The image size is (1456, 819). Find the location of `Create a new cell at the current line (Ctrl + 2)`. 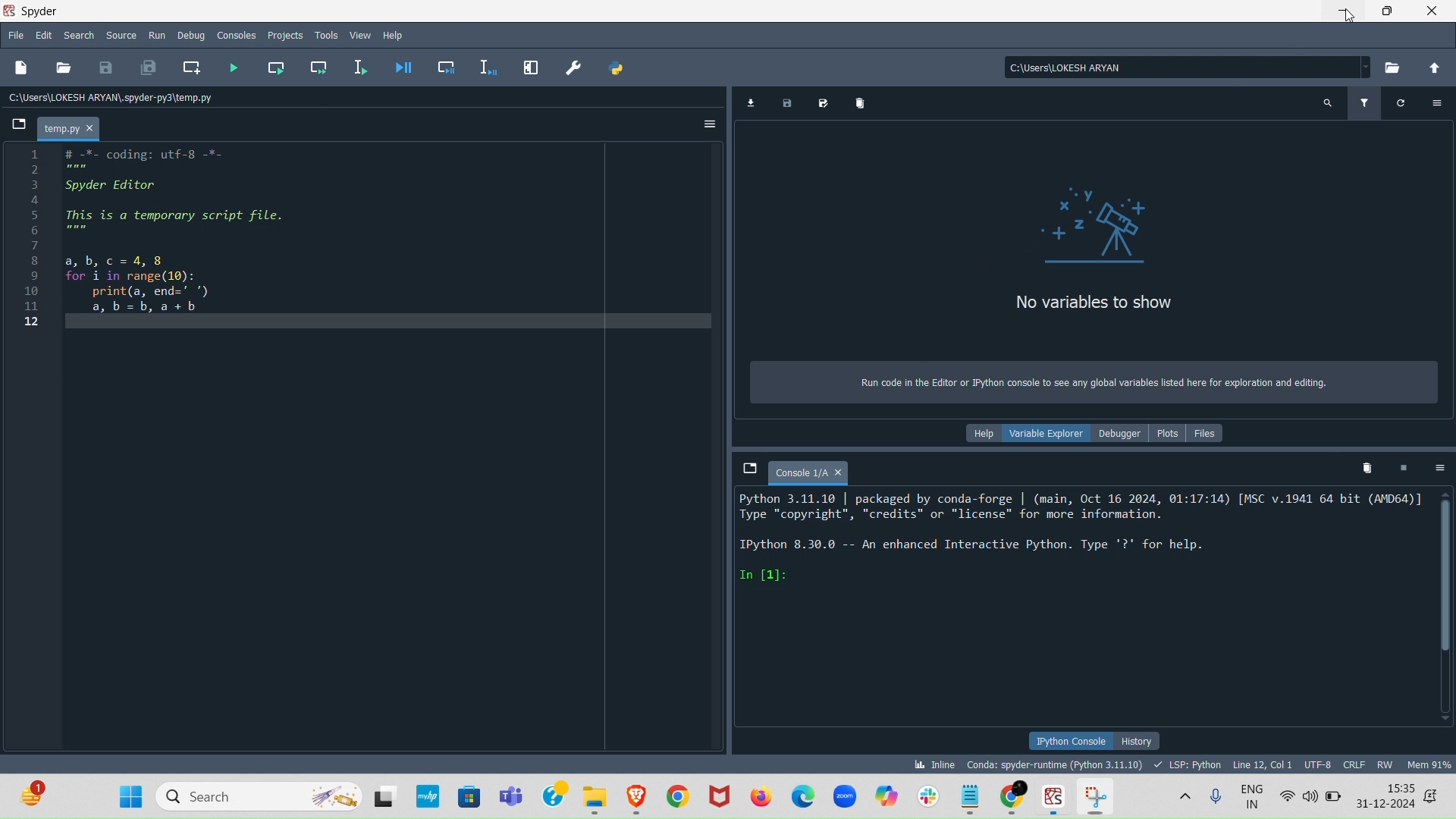

Create a new cell at the current line (Ctrl + 2) is located at coordinates (190, 67).